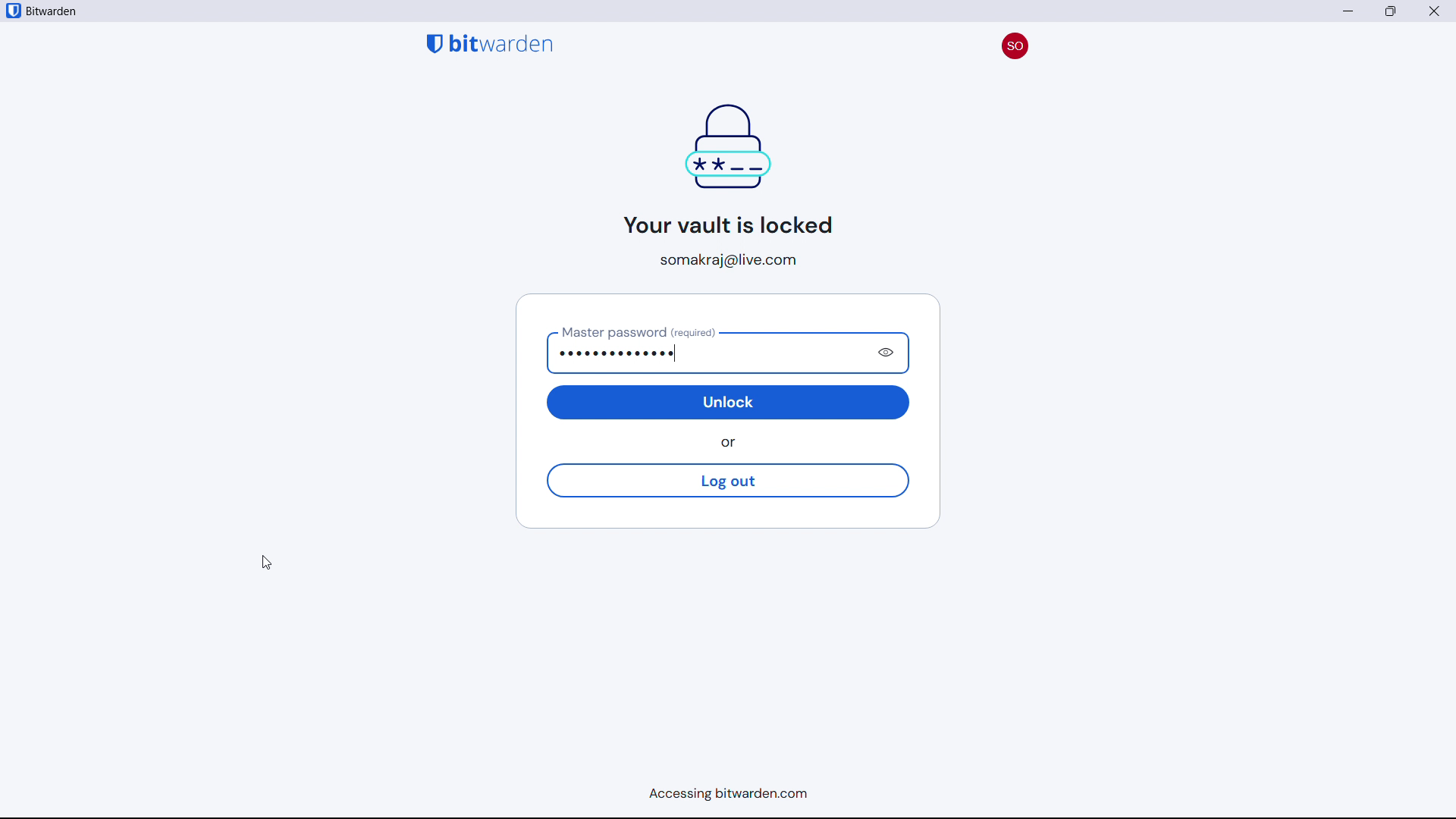 This screenshot has width=1456, height=819. I want to click on Accessing bitwarden.com, so click(722, 796).